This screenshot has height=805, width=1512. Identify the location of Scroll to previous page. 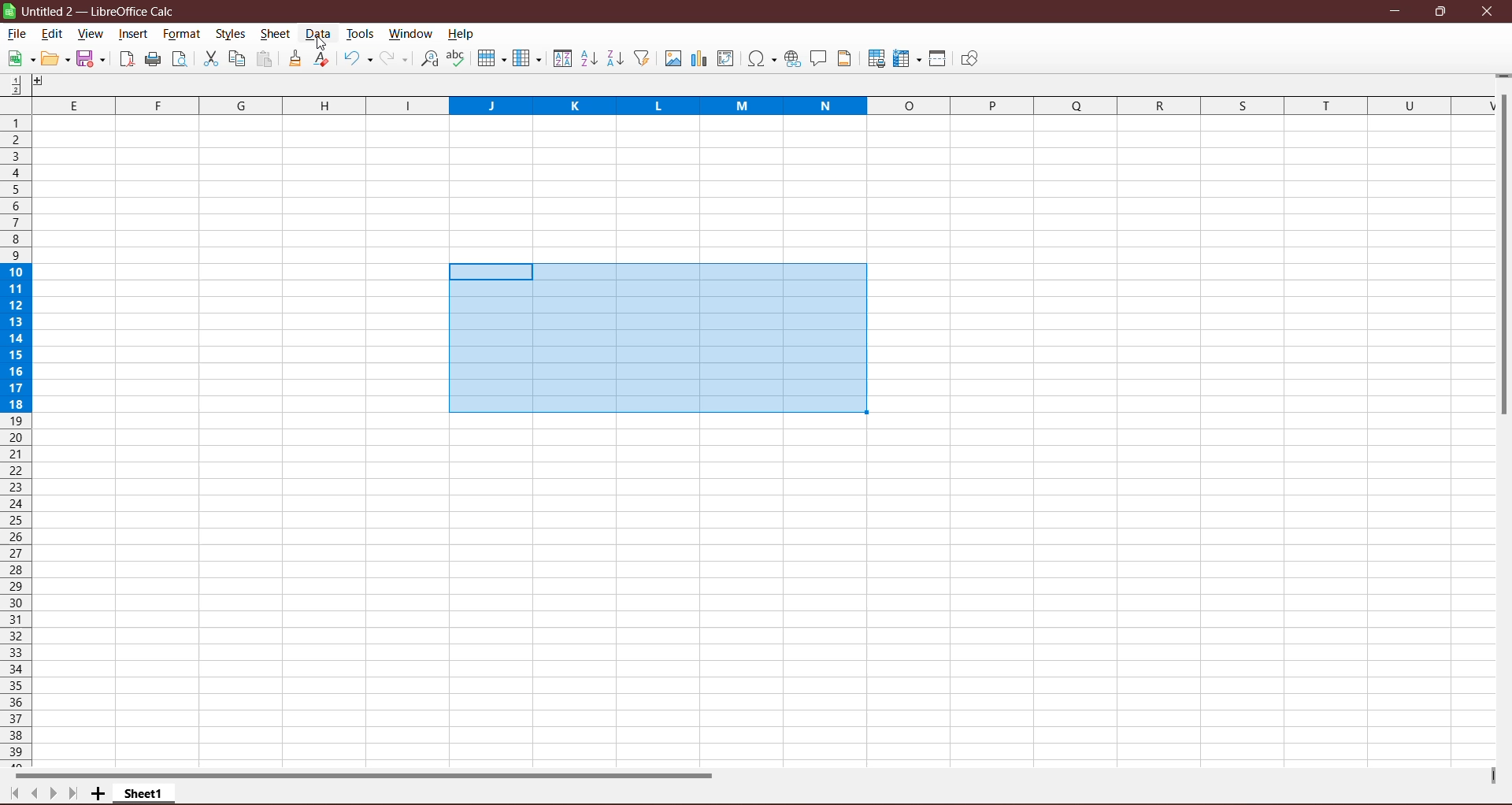
(32, 793).